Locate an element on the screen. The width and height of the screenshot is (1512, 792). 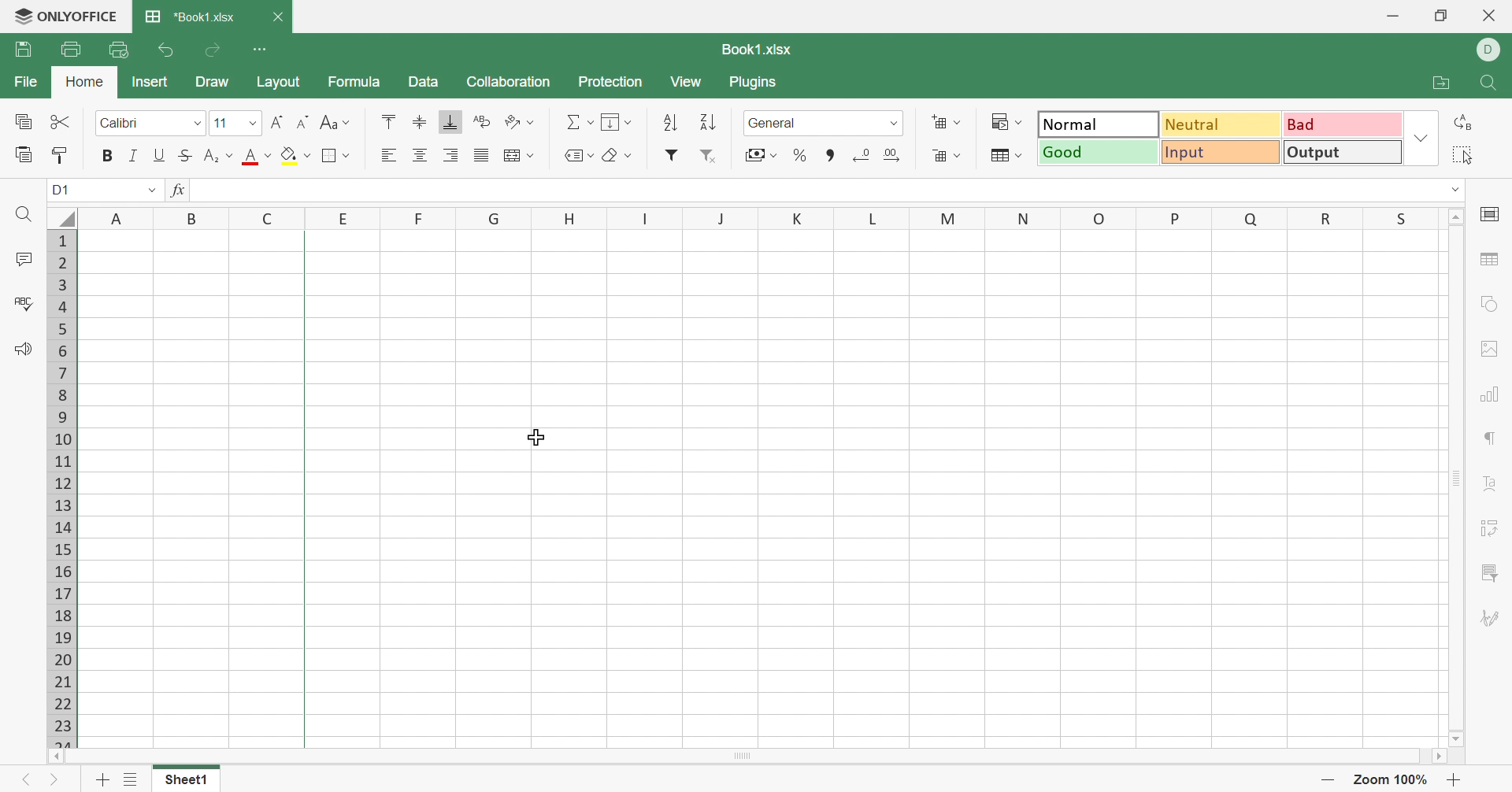
Data is located at coordinates (428, 81).